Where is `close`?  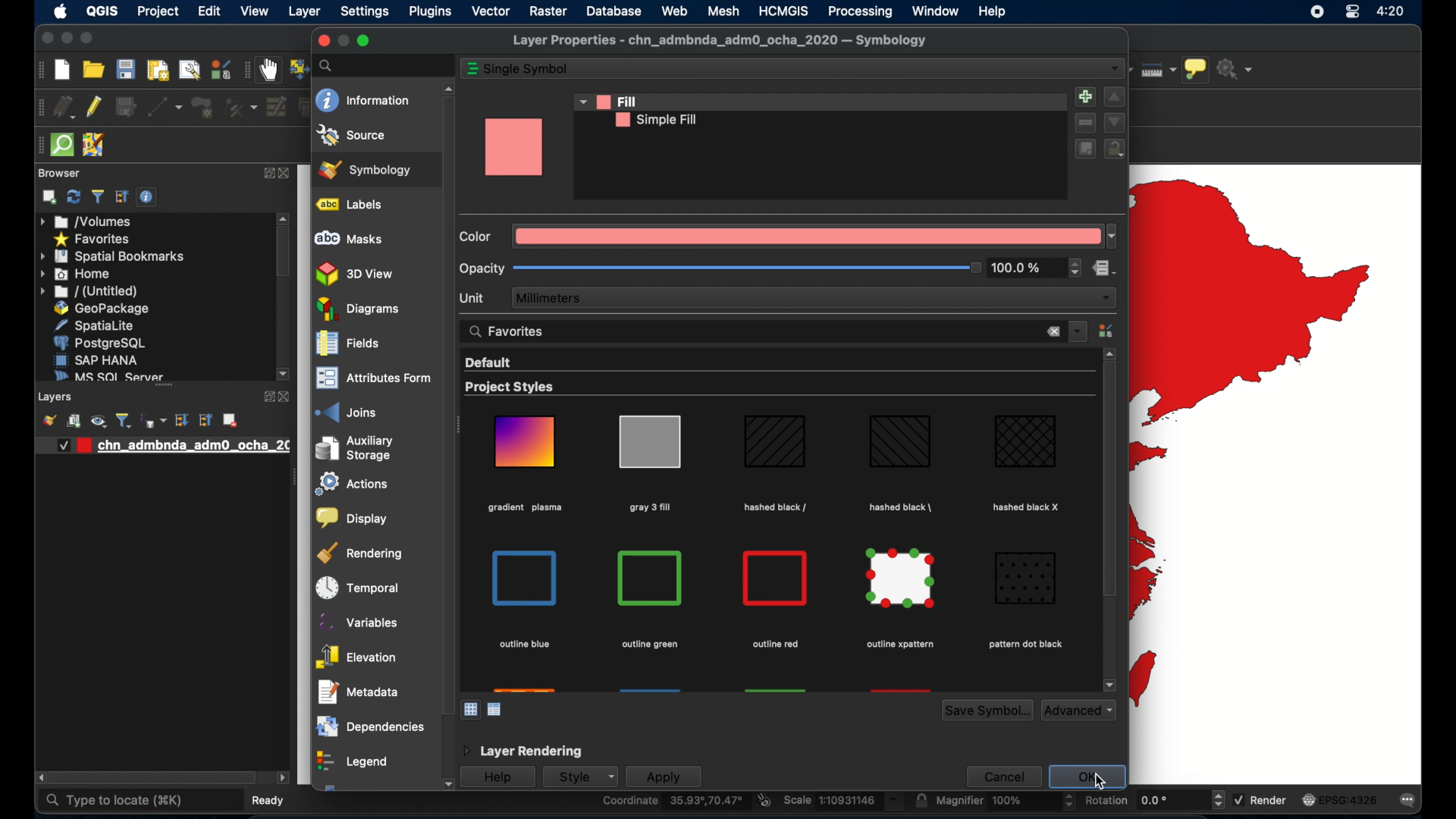
close is located at coordinates (1053, 333).